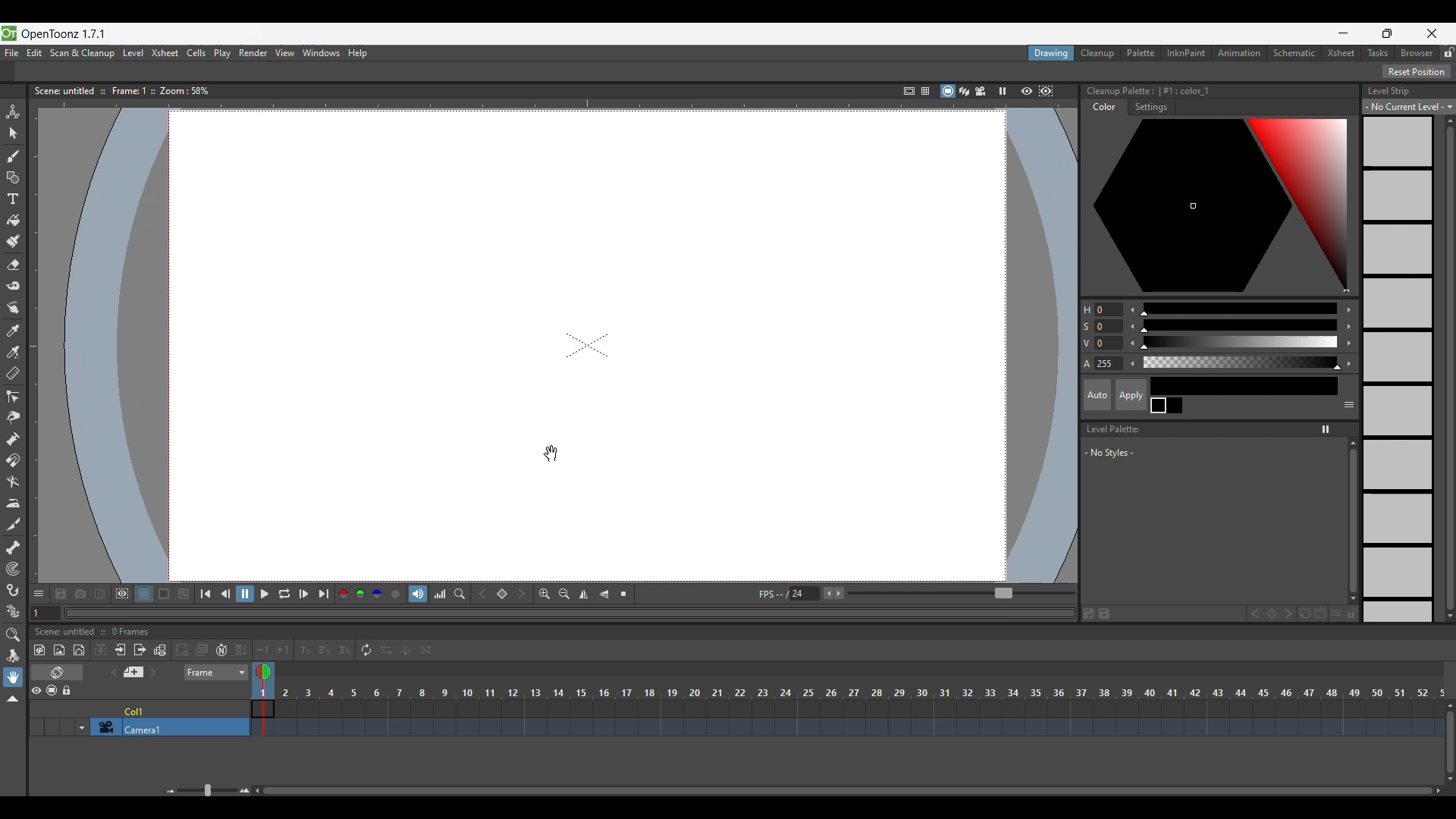 This screenshot has width=1456, height=819. I want to click on Previous frame, so click(225, 594).